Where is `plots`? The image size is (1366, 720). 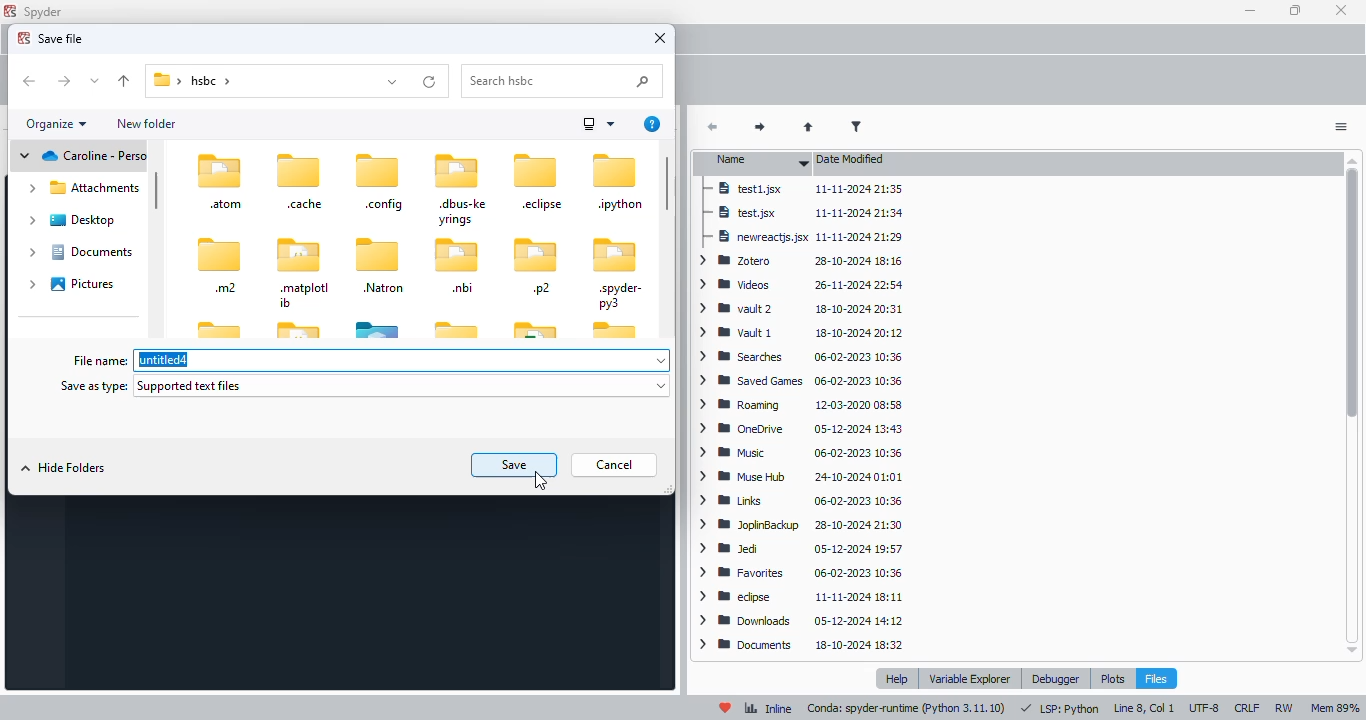 plots is located at coordinates (1113, 678).